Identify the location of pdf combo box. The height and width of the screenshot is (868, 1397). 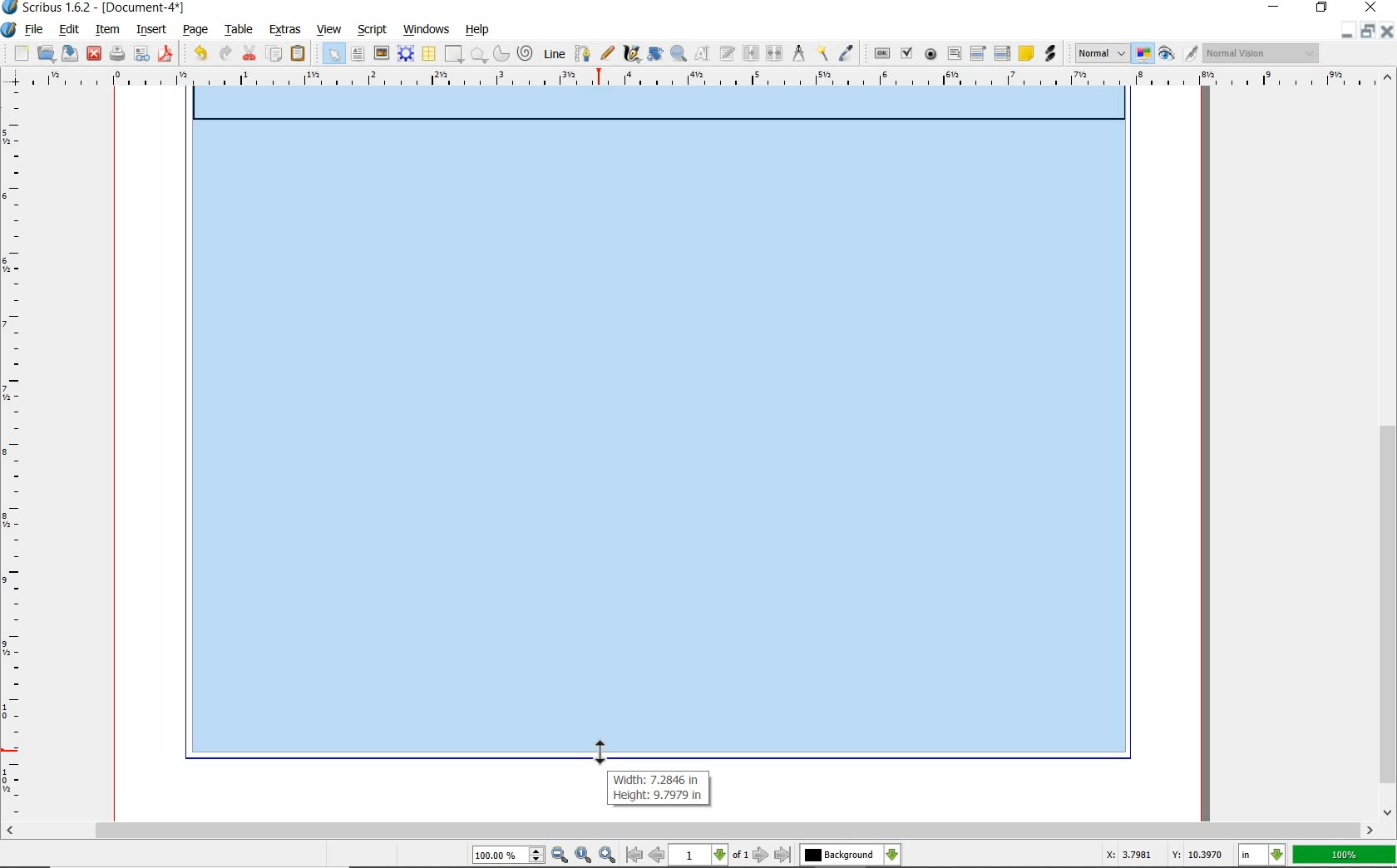
(977, 52).